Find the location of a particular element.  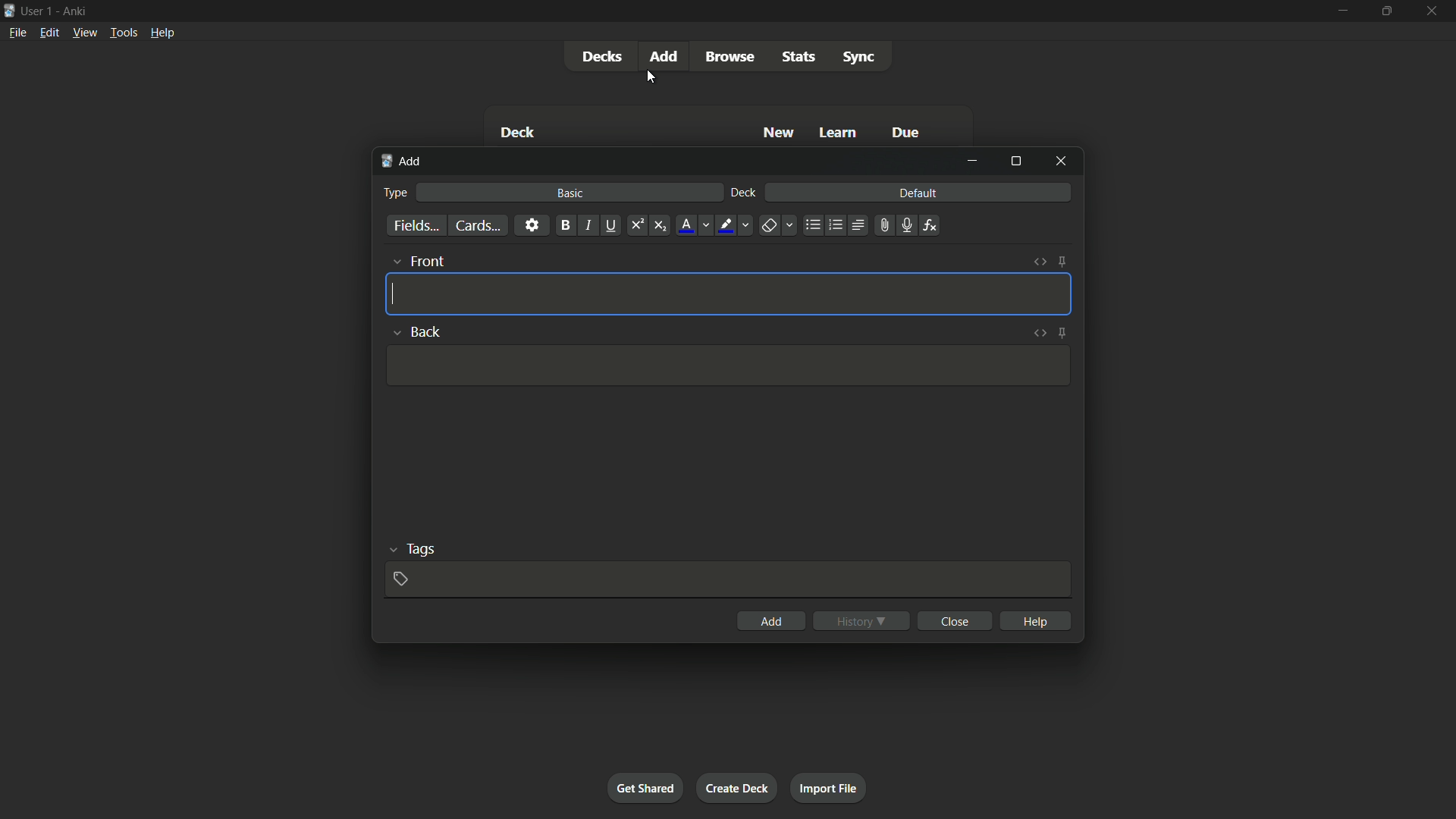

view menu is located at coordinates (83, 31).